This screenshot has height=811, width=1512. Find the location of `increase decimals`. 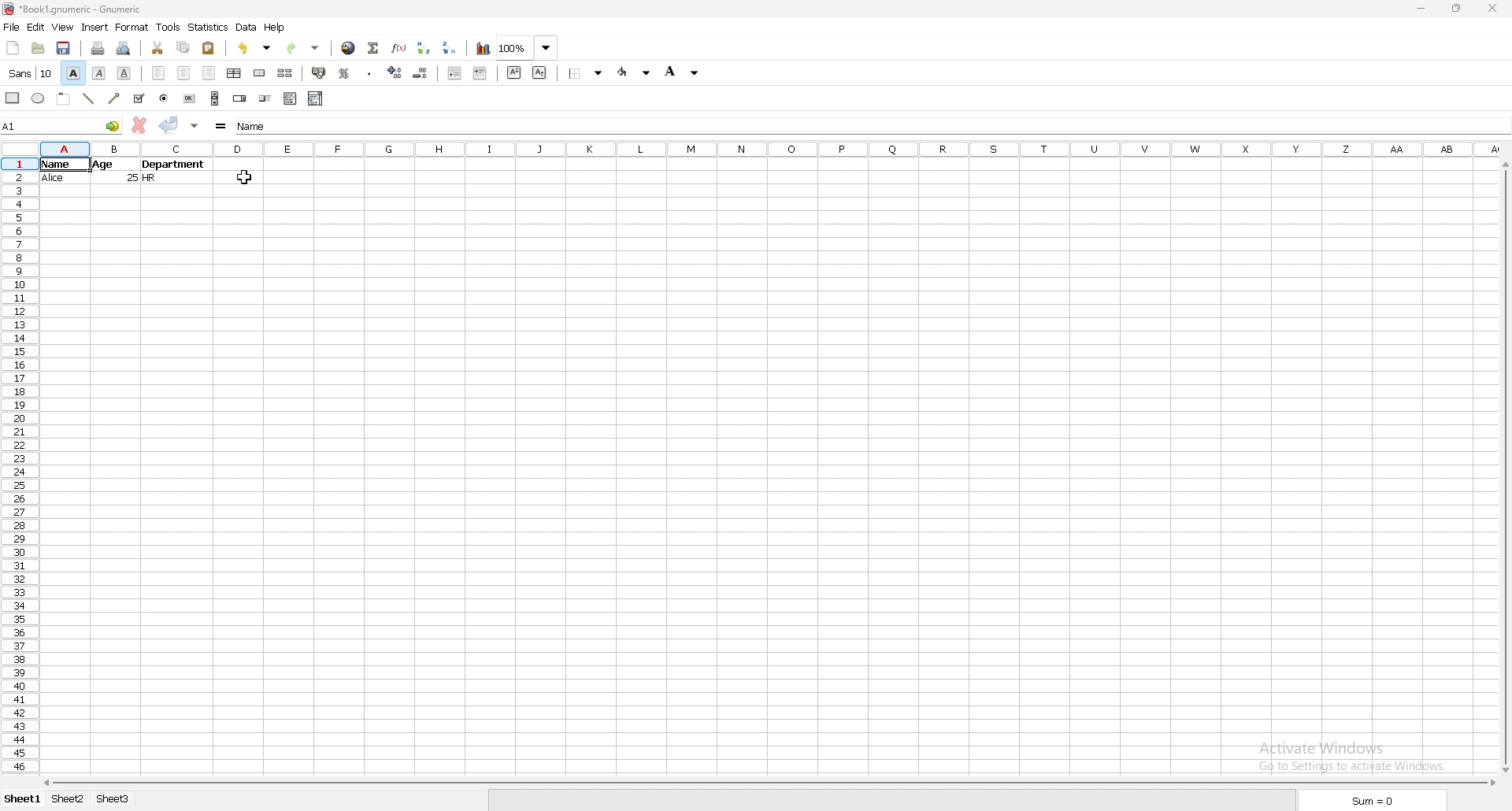

increase decimals is located at coordinates (396, 72).